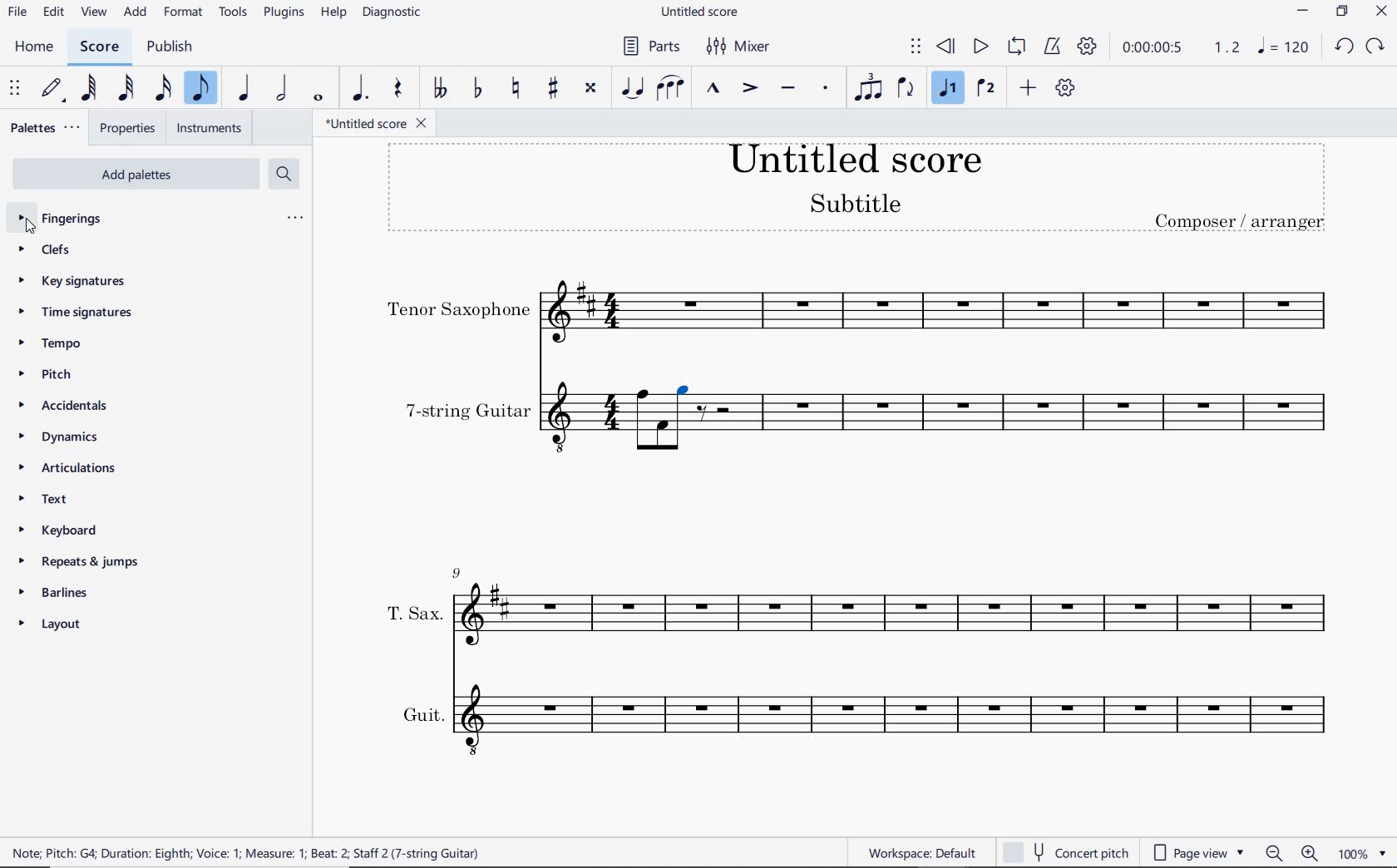  What do you see at coordinates (294, 218) in the screenshot?
I see `ellipsis` at bounding box center [294, 218].